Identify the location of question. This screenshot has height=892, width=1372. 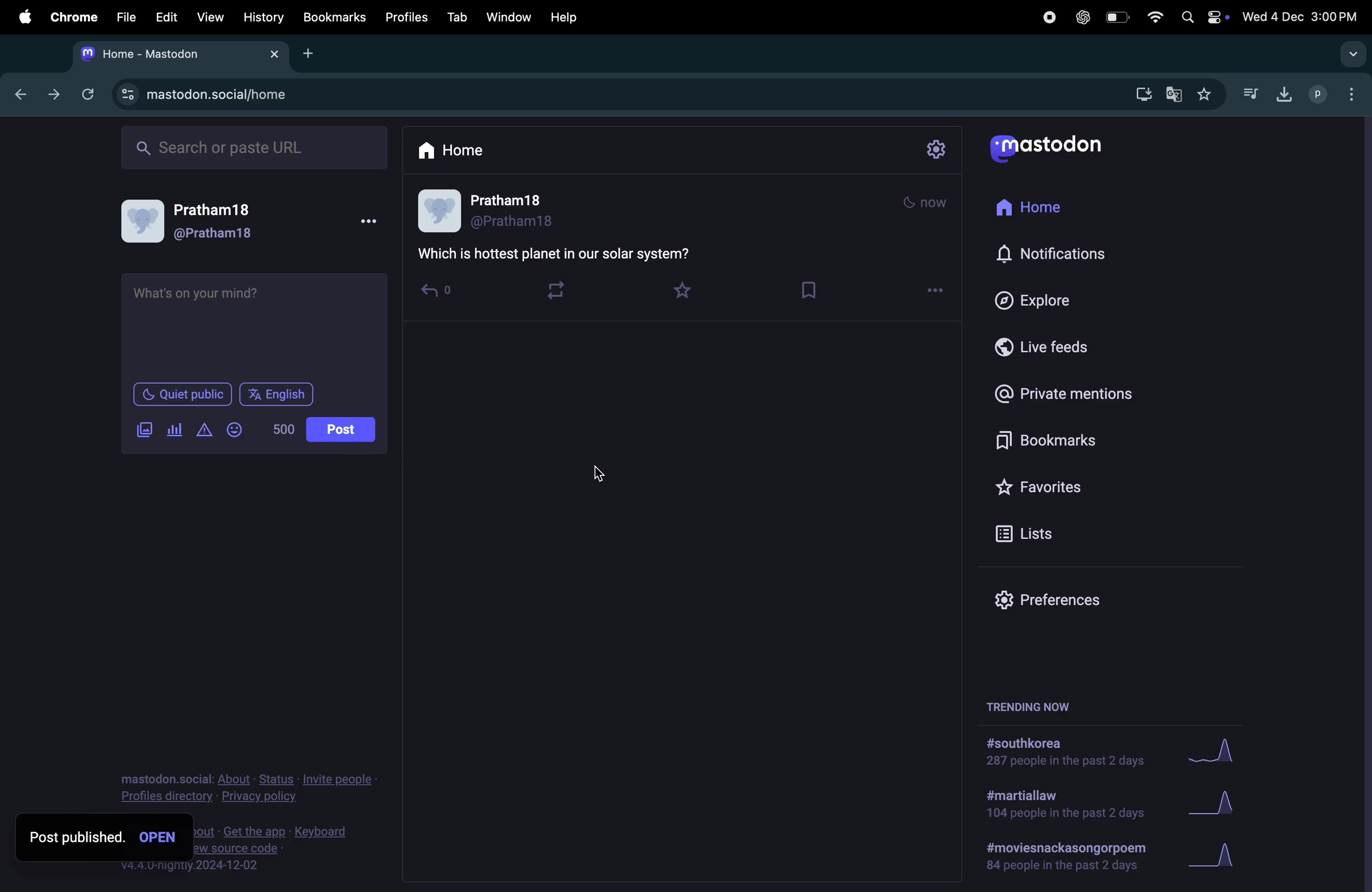
(239, 300).